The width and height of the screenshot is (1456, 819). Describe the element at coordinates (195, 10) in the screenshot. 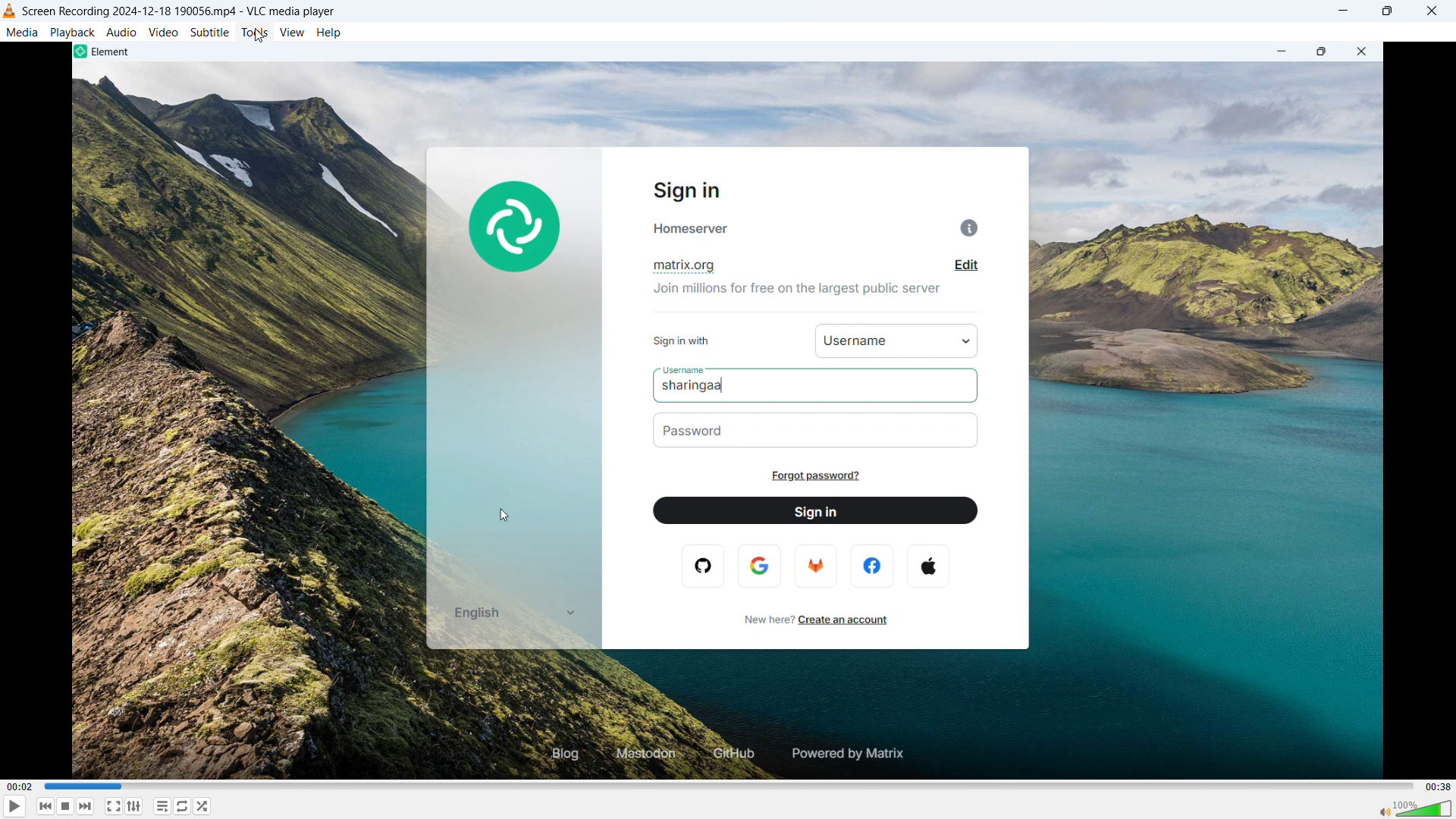

I see `screen recording 2024-12-188 190056 mp4 -vlc media player` at that location.